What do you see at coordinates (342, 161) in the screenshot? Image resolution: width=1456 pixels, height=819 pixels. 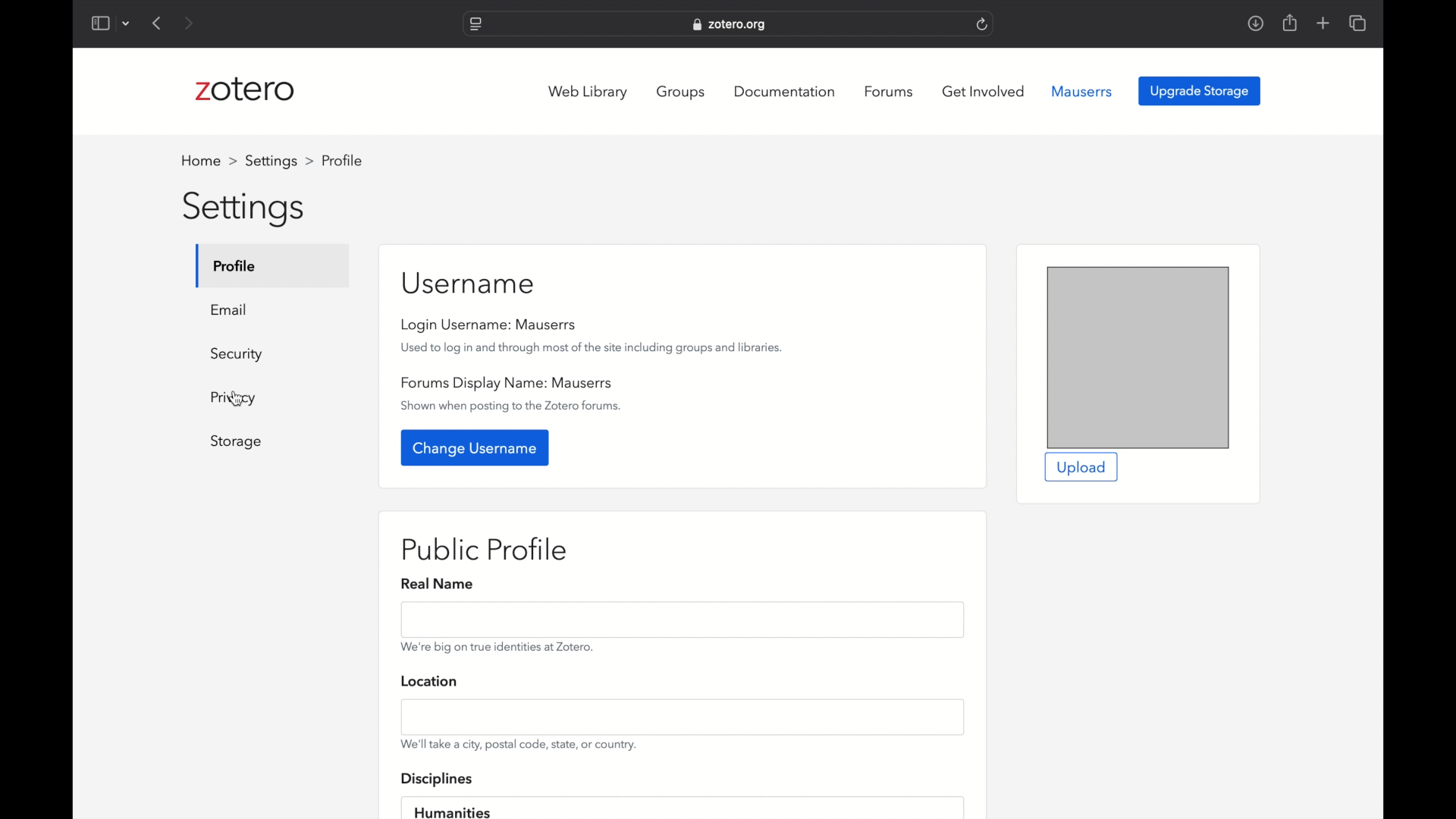 I see `profile` at bounding box center [342, 161].